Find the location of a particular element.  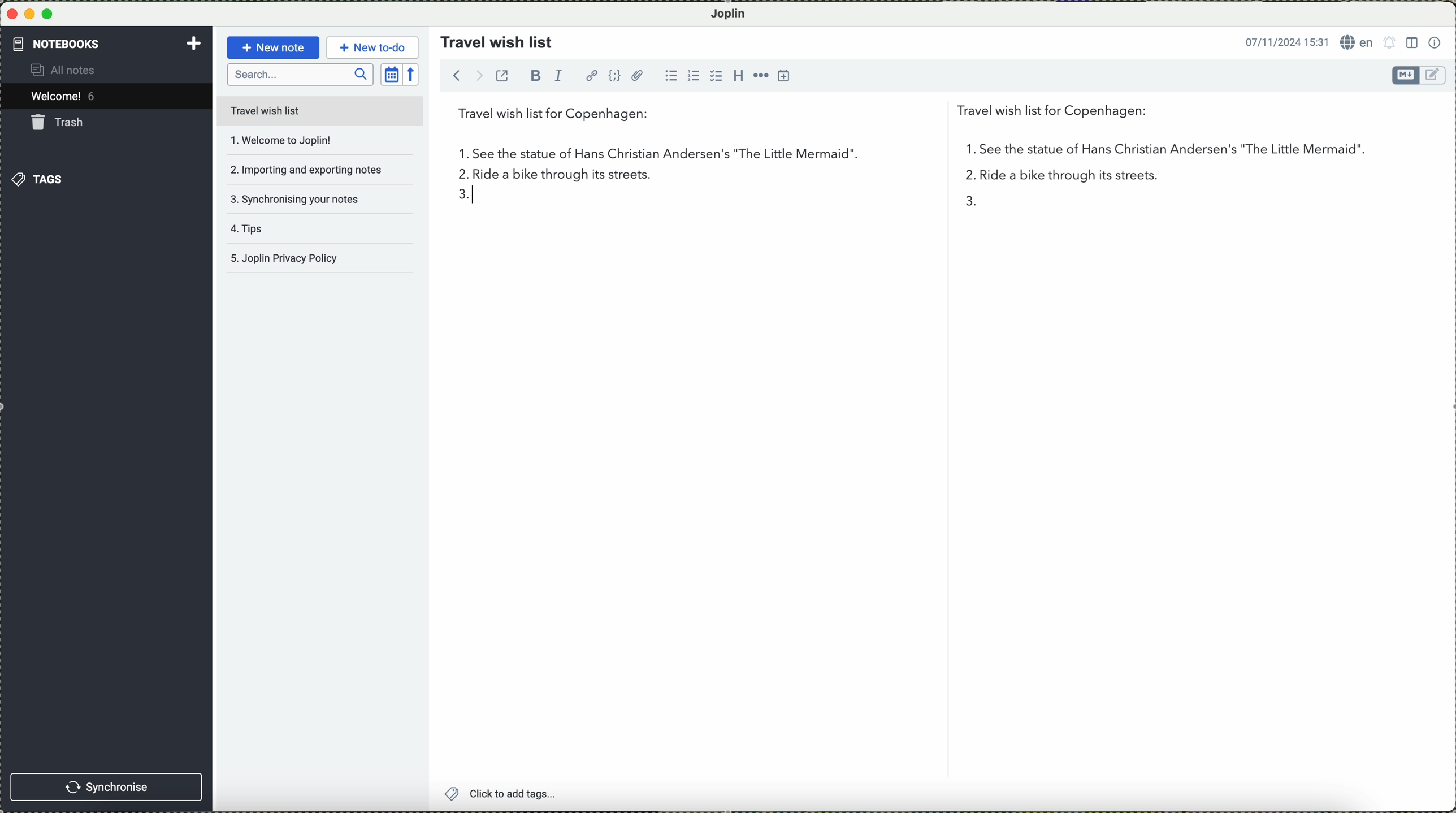

toggle external editing is located at coordinates (505, 80).